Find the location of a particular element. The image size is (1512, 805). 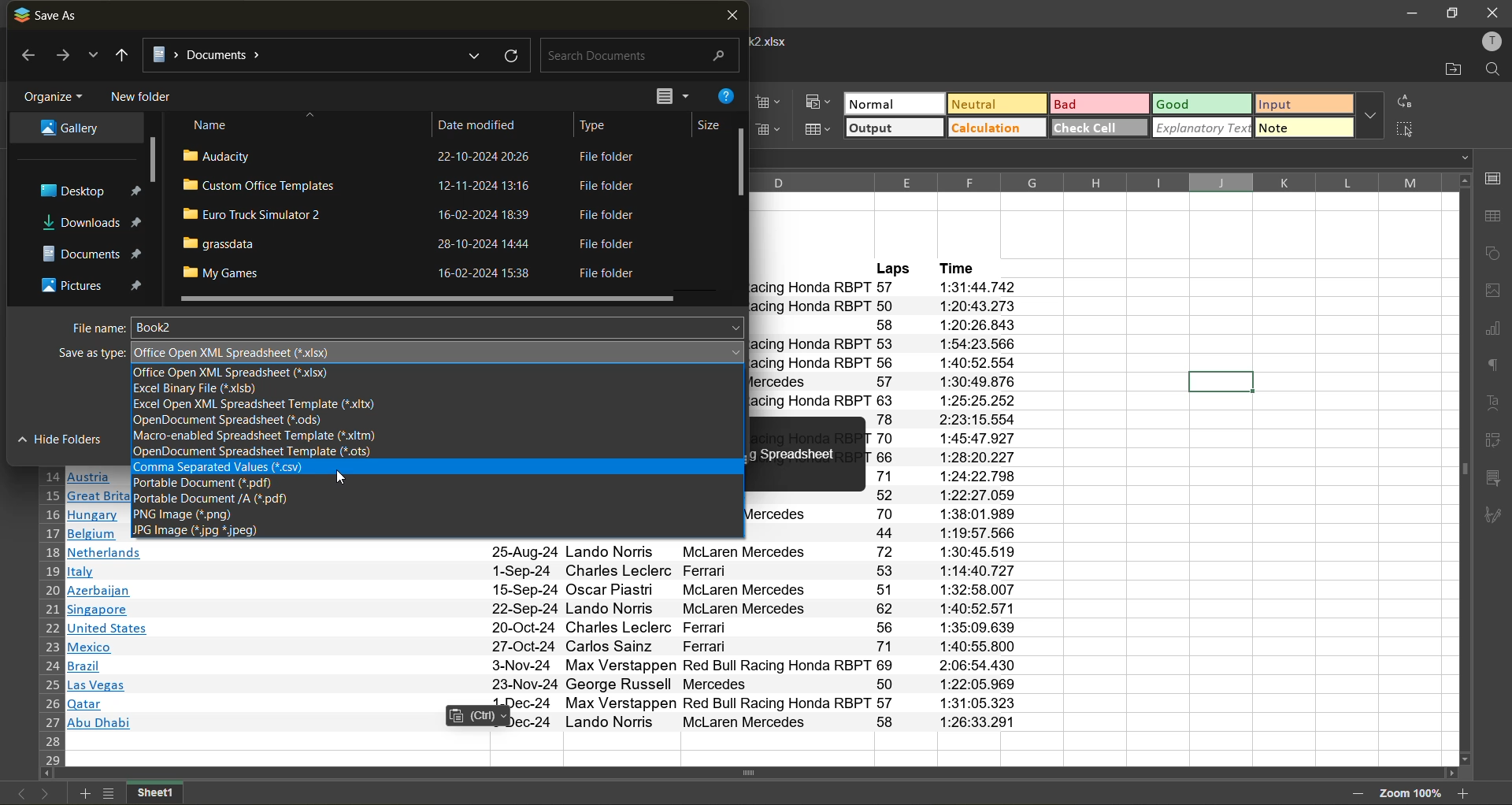

text info is located at coordinates (547, 722).